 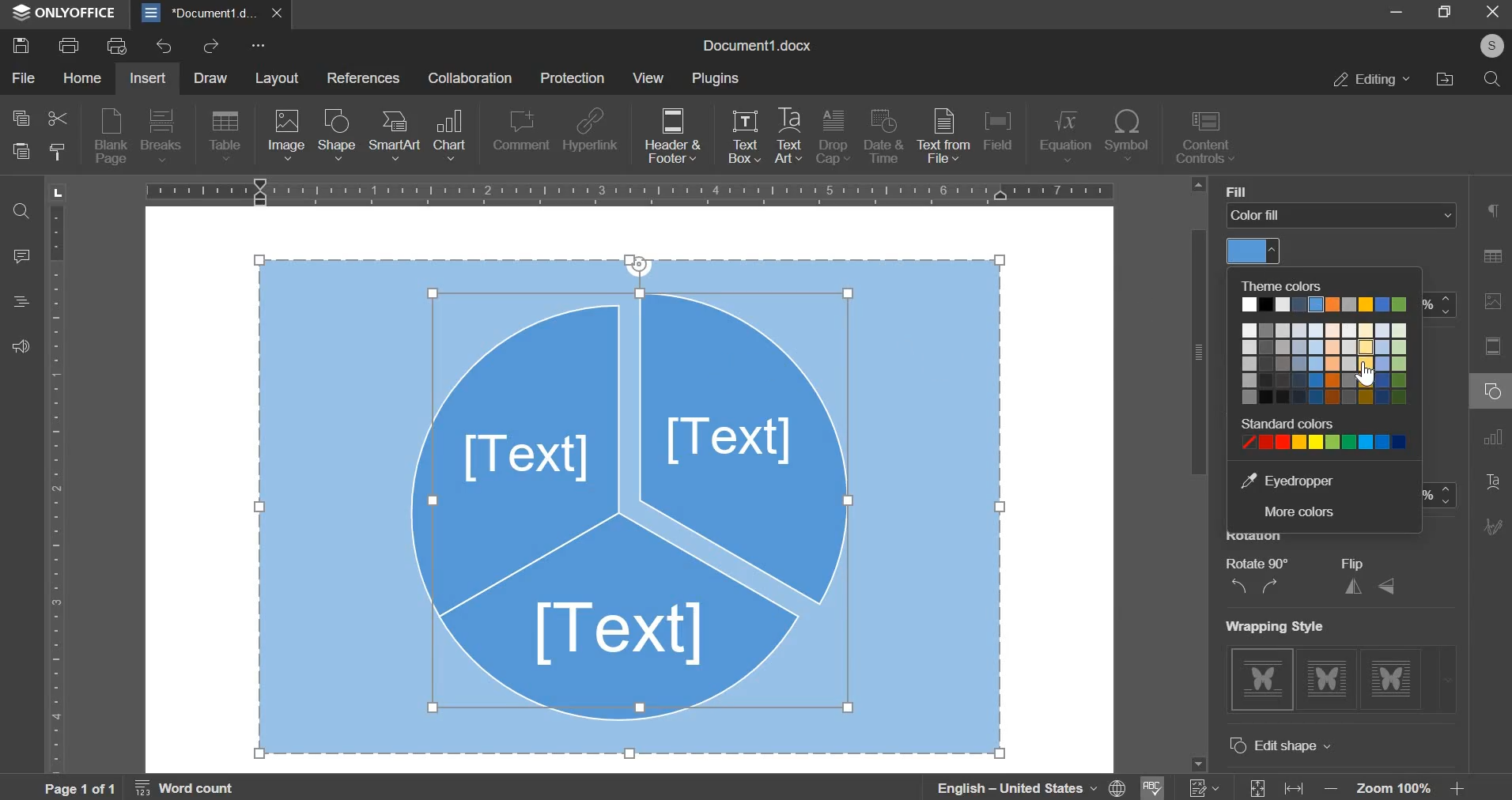 I want to click on undo, so click(x=164, y=47).